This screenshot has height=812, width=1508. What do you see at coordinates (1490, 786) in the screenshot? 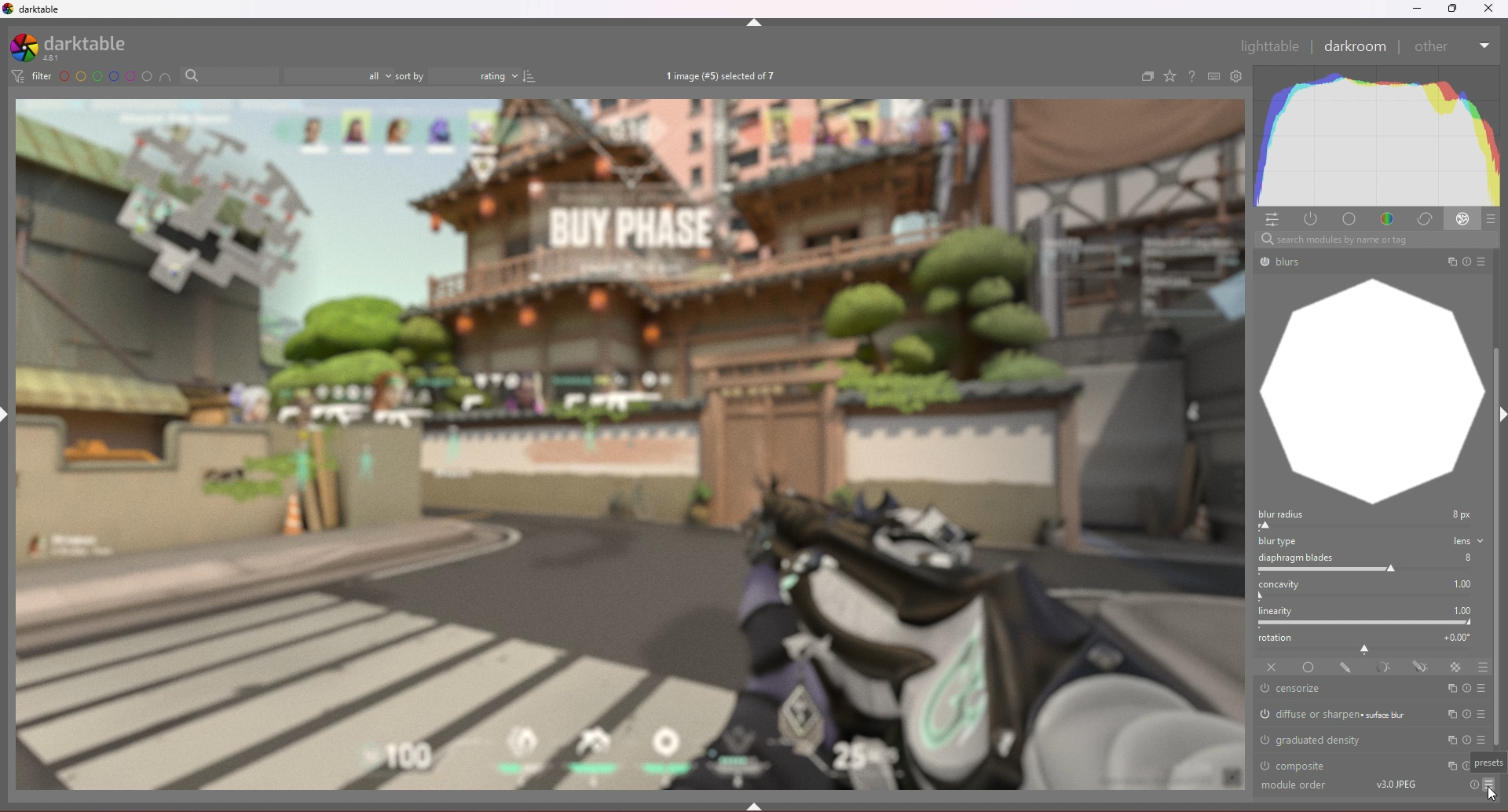
I see `` at bounding box center [1490, 786].